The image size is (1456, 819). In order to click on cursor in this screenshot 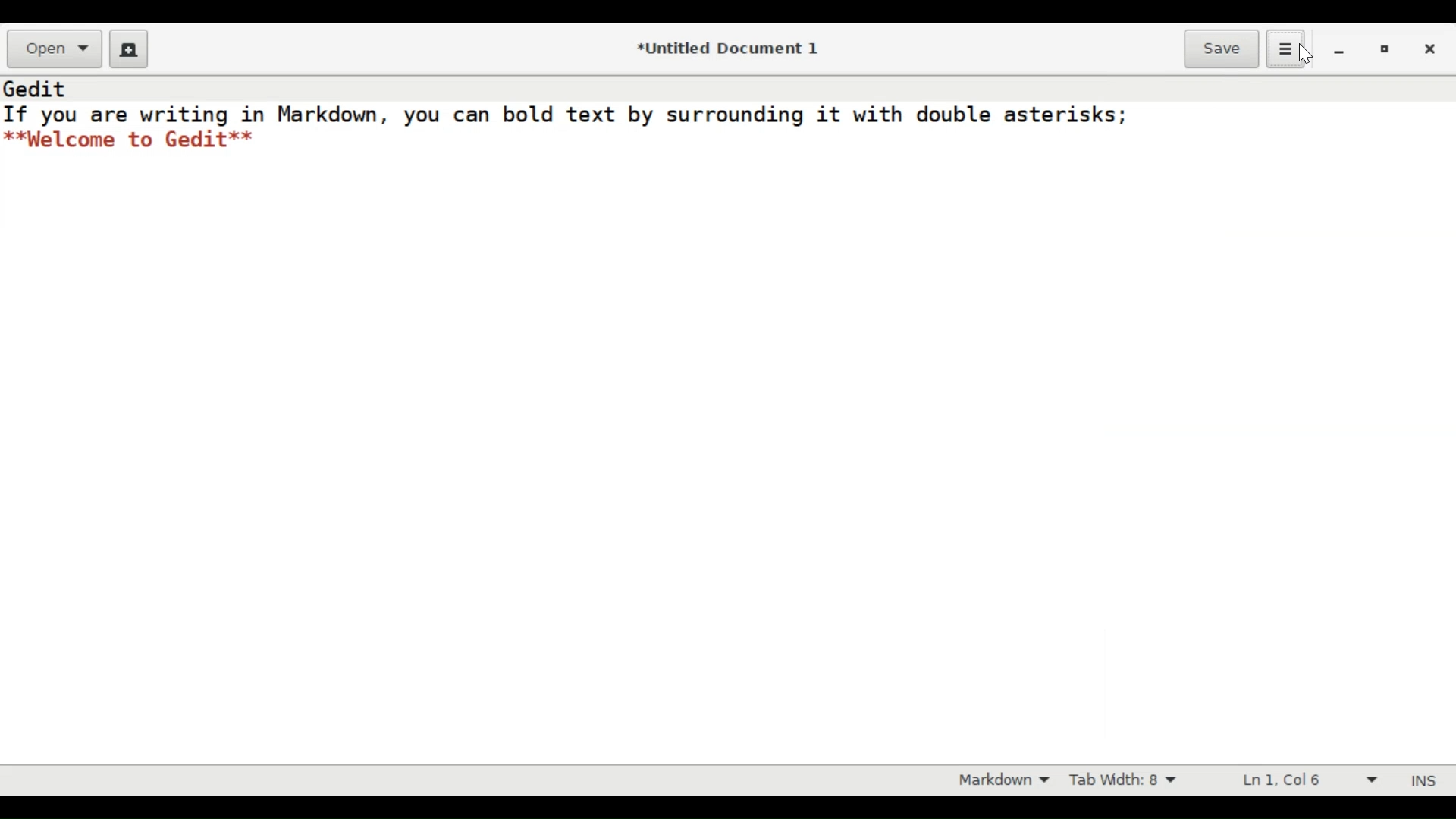, I will do `click(1307, 58)`.